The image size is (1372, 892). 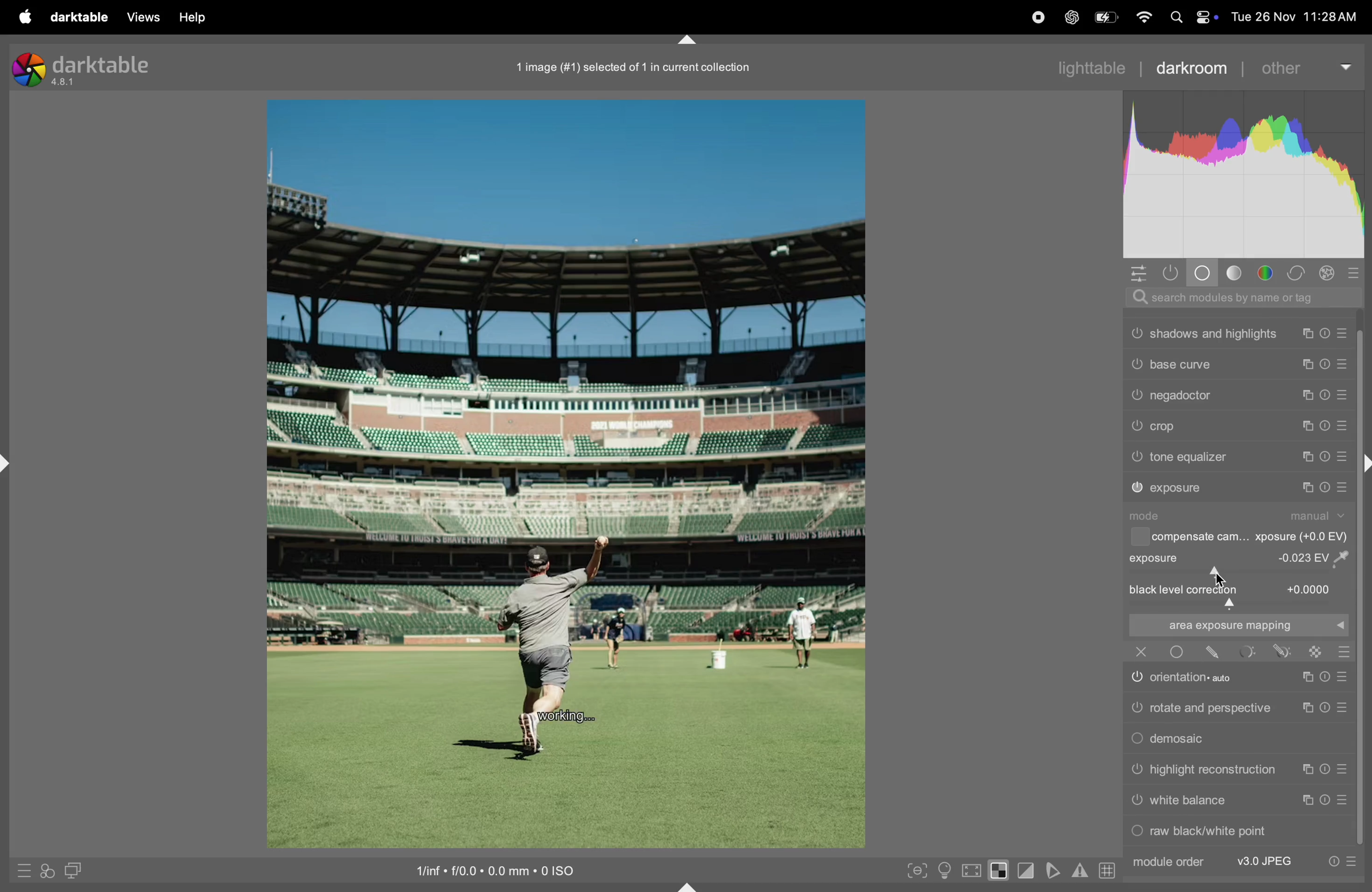 I want to click on white balance, so click(x=1189, y=800).